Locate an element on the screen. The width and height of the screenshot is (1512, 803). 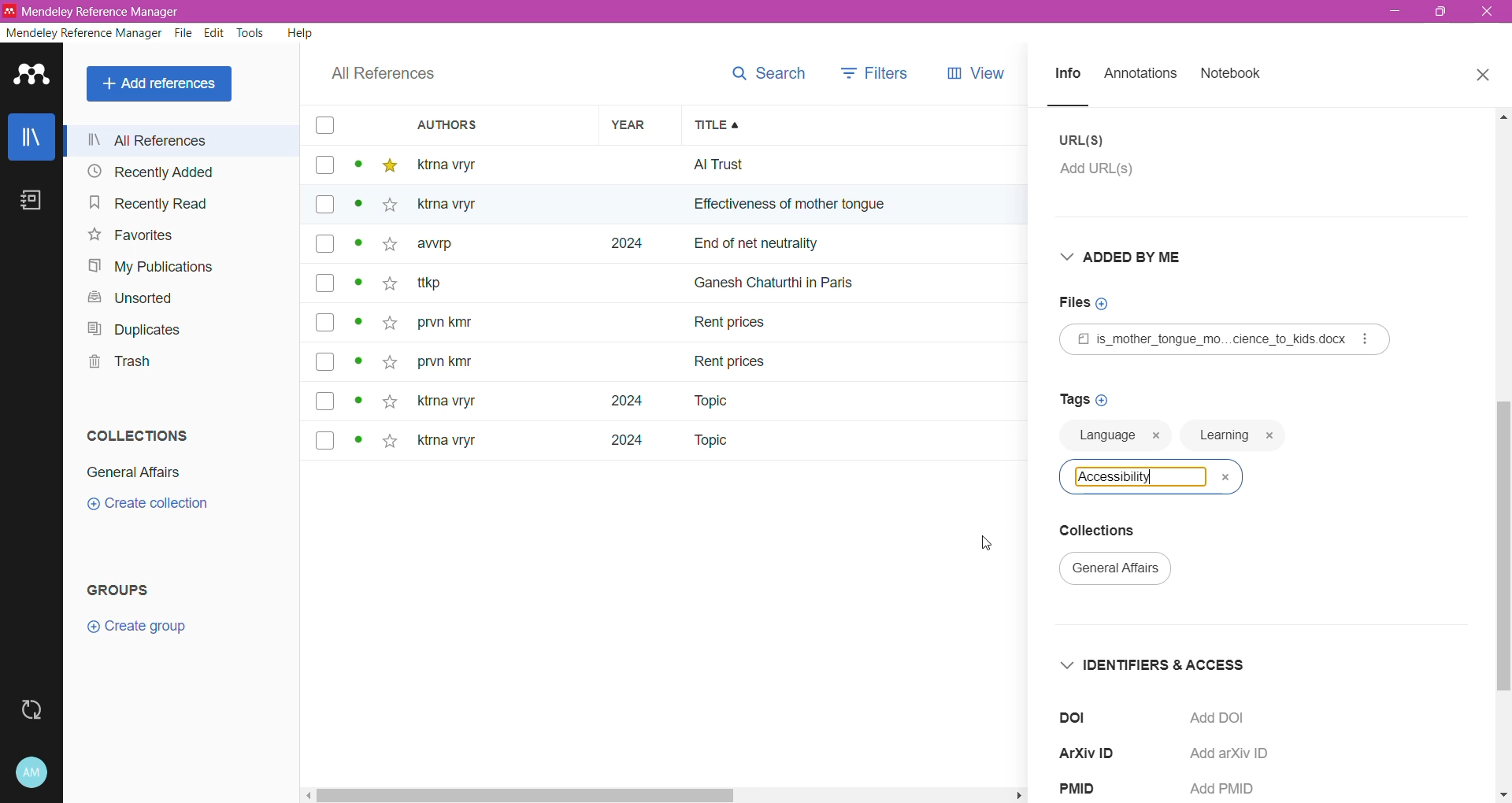
Topic is located at coordinates (709, 442).